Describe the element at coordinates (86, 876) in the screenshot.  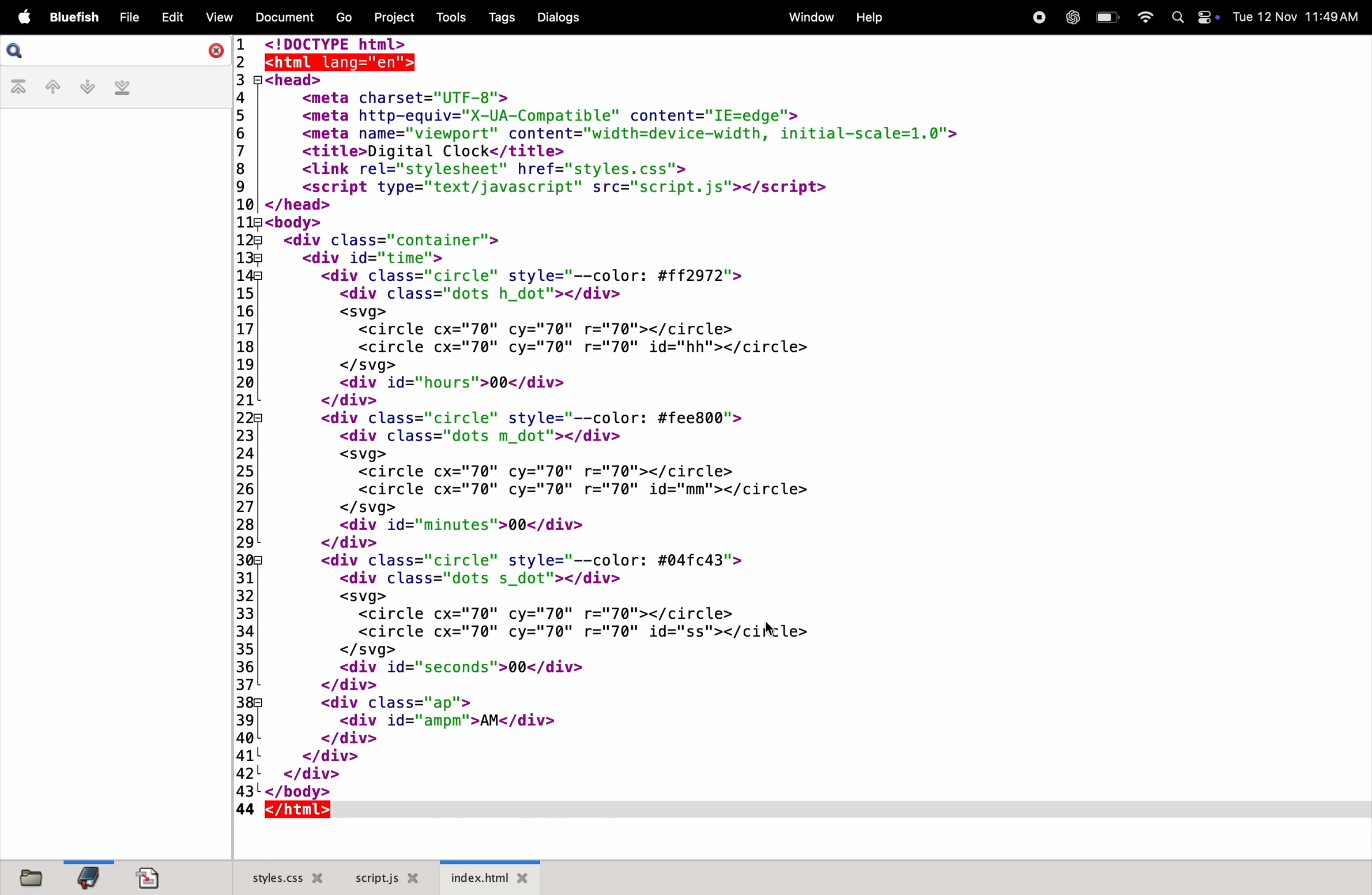
I see `bookmarksfile` at that location.